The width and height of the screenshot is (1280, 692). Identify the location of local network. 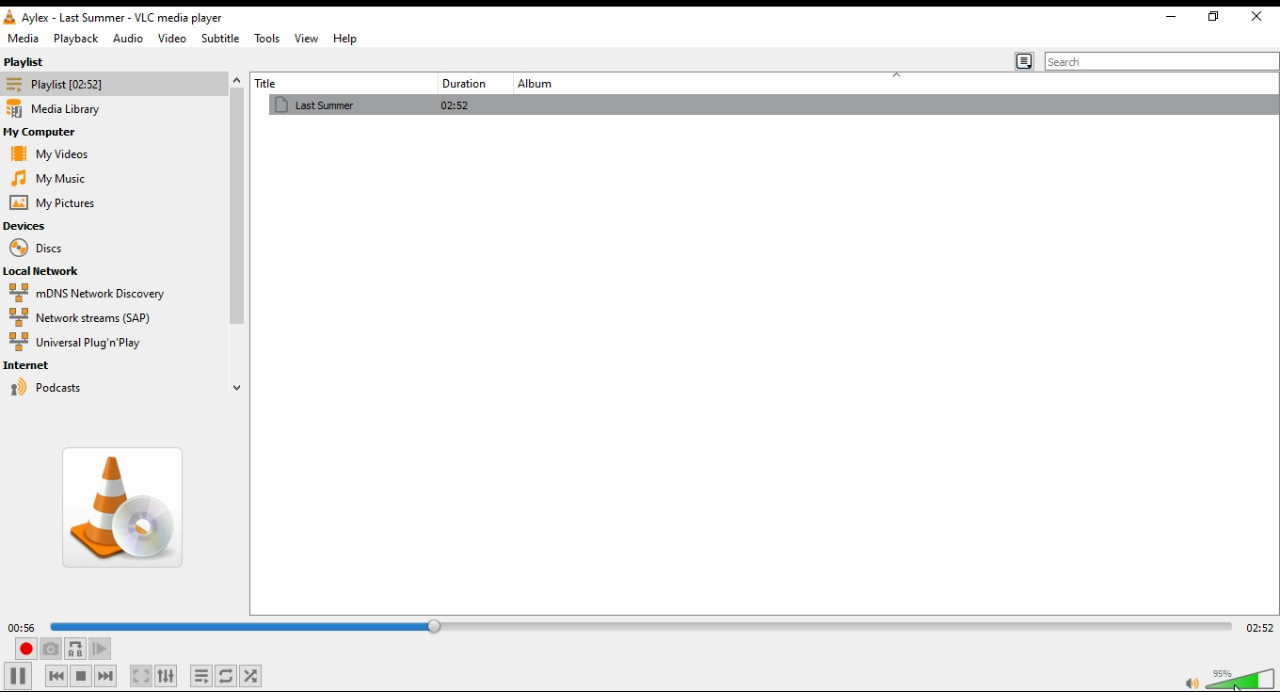
(45, 271).